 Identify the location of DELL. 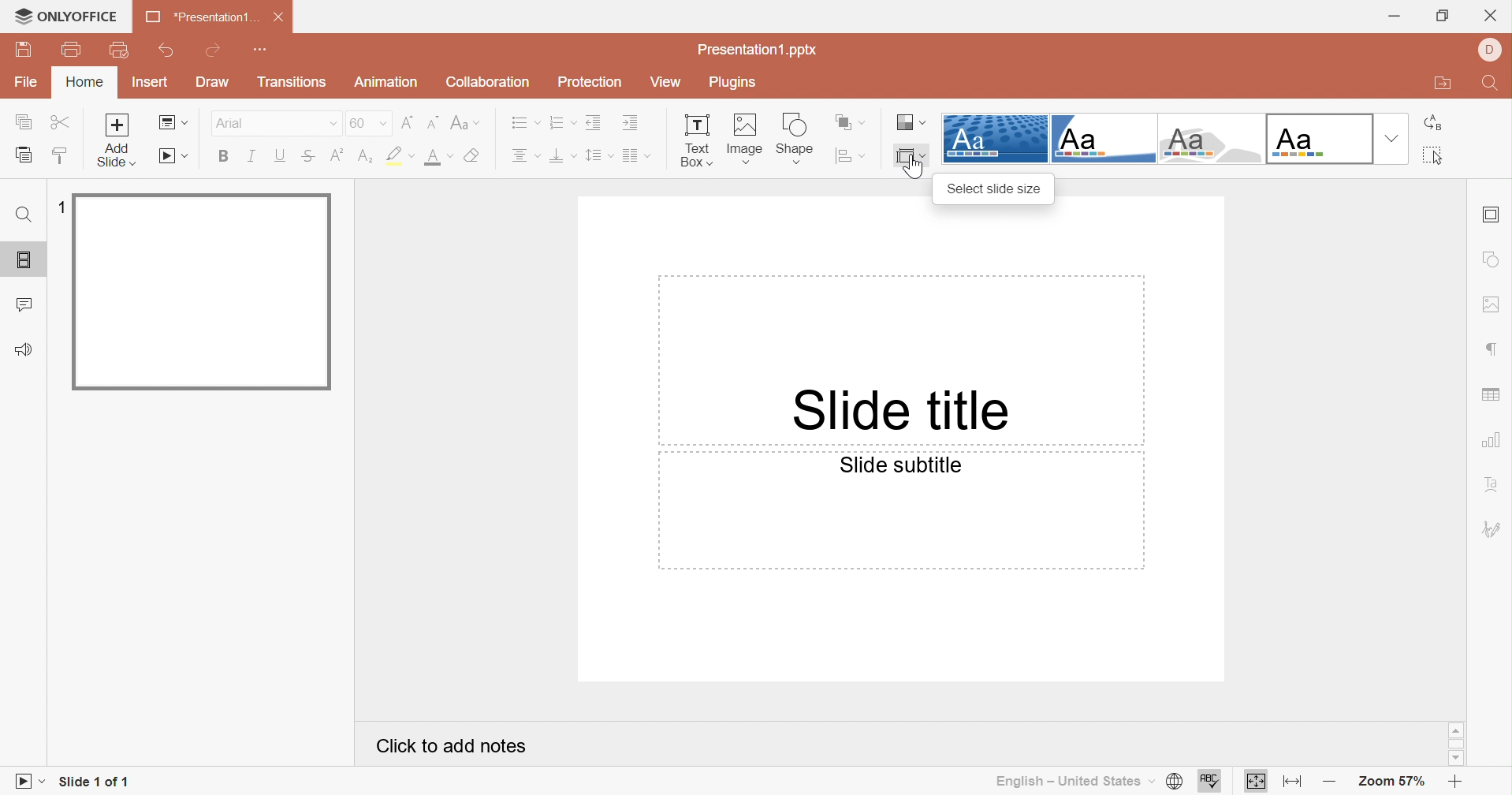
(1489, 50).